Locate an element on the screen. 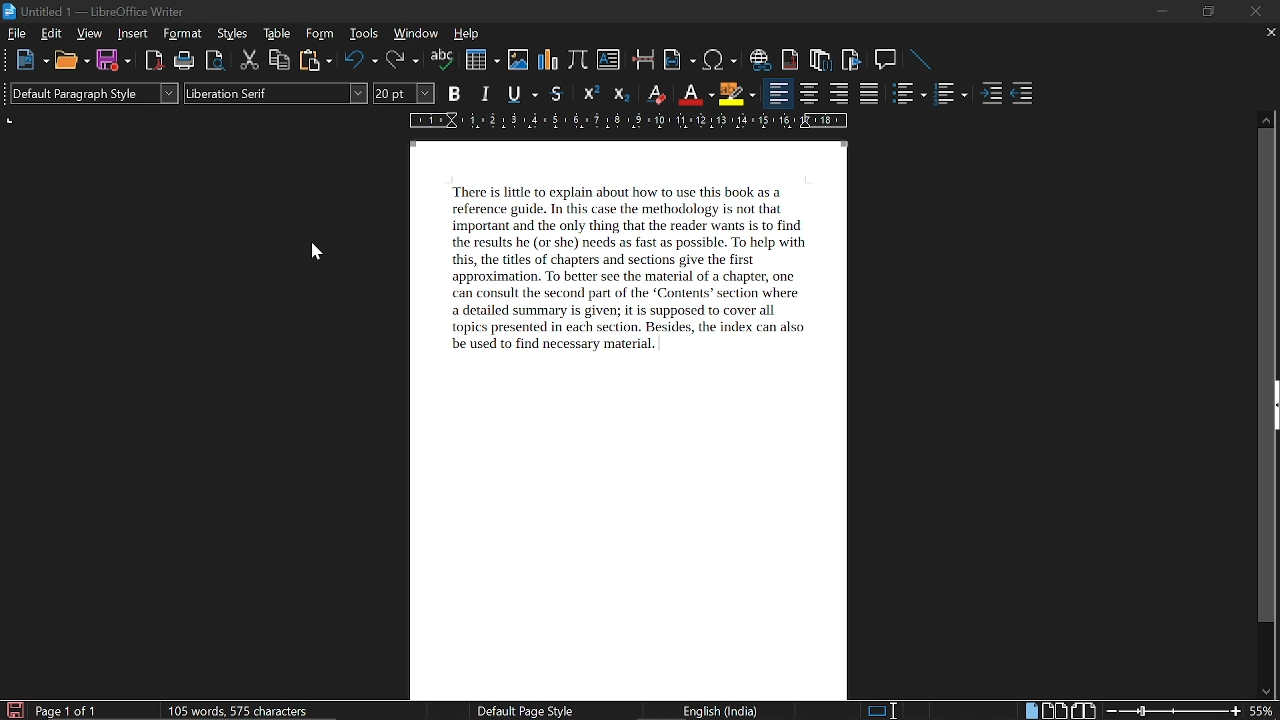 Image resolution: width=1280 pixels, height=720 pixels. save is located at coordinates (14, 709).